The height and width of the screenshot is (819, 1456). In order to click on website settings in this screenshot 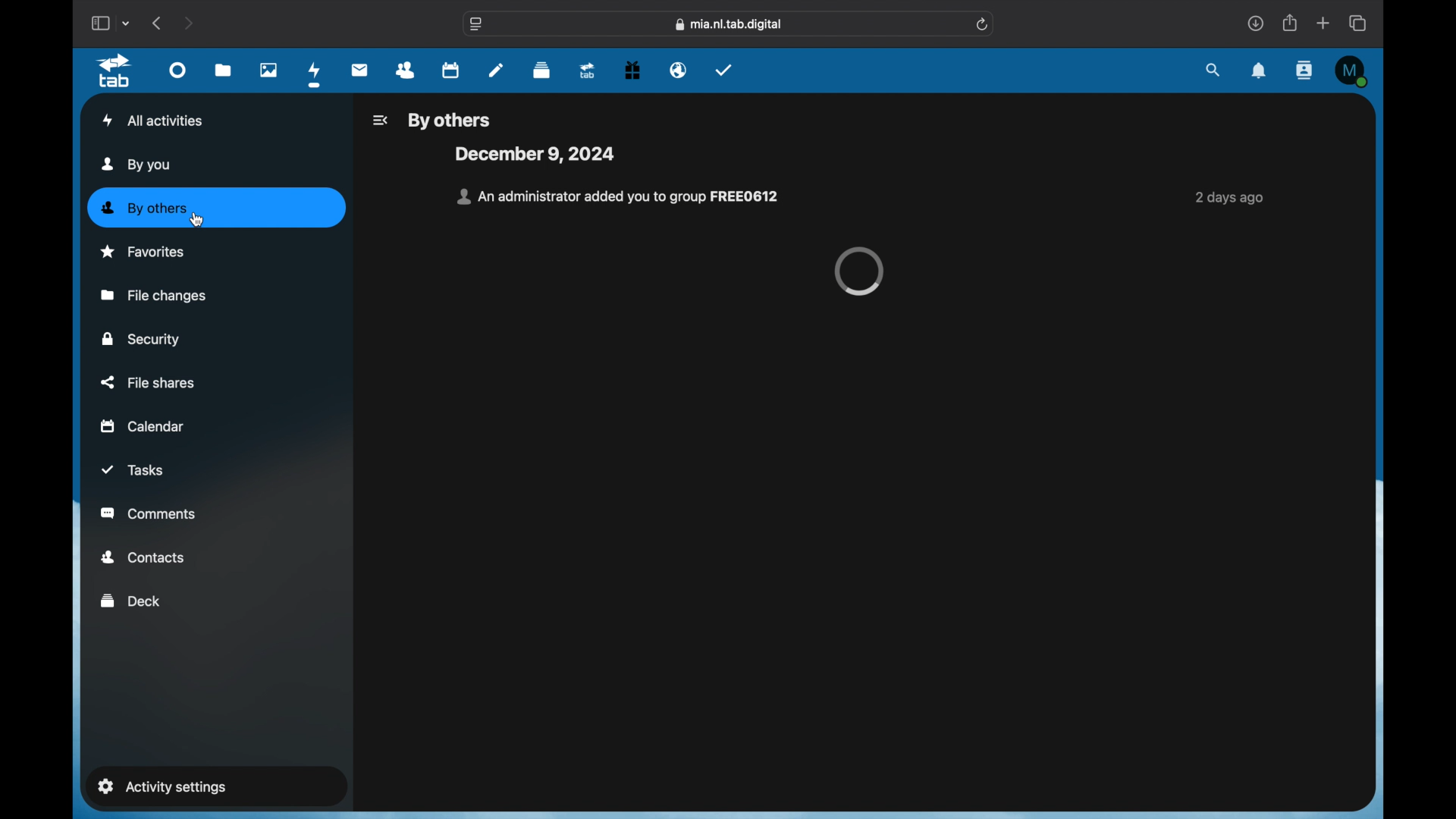, I will do `click(476, 24)`.